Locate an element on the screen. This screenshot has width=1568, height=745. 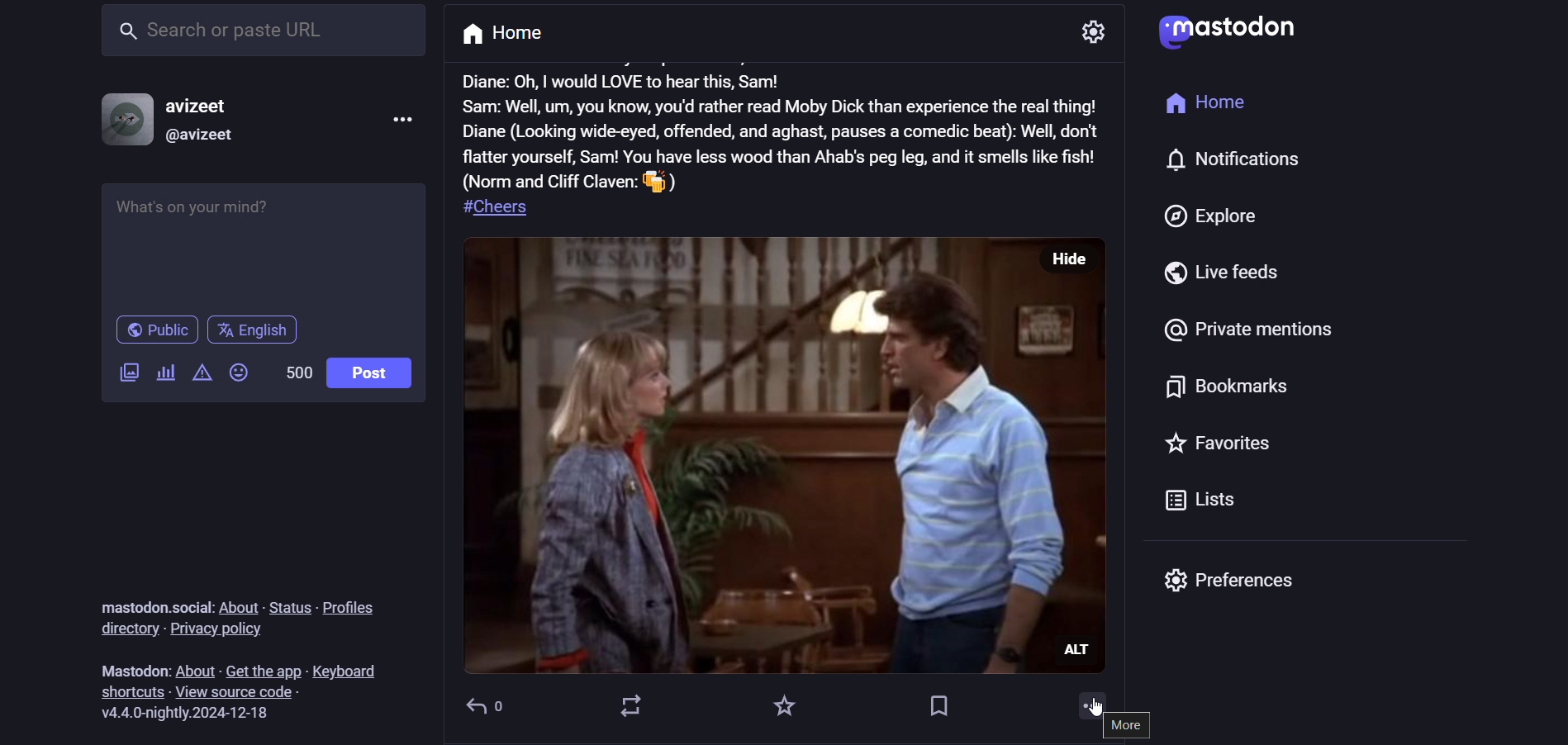
directory is located at coordinates (126, 631).